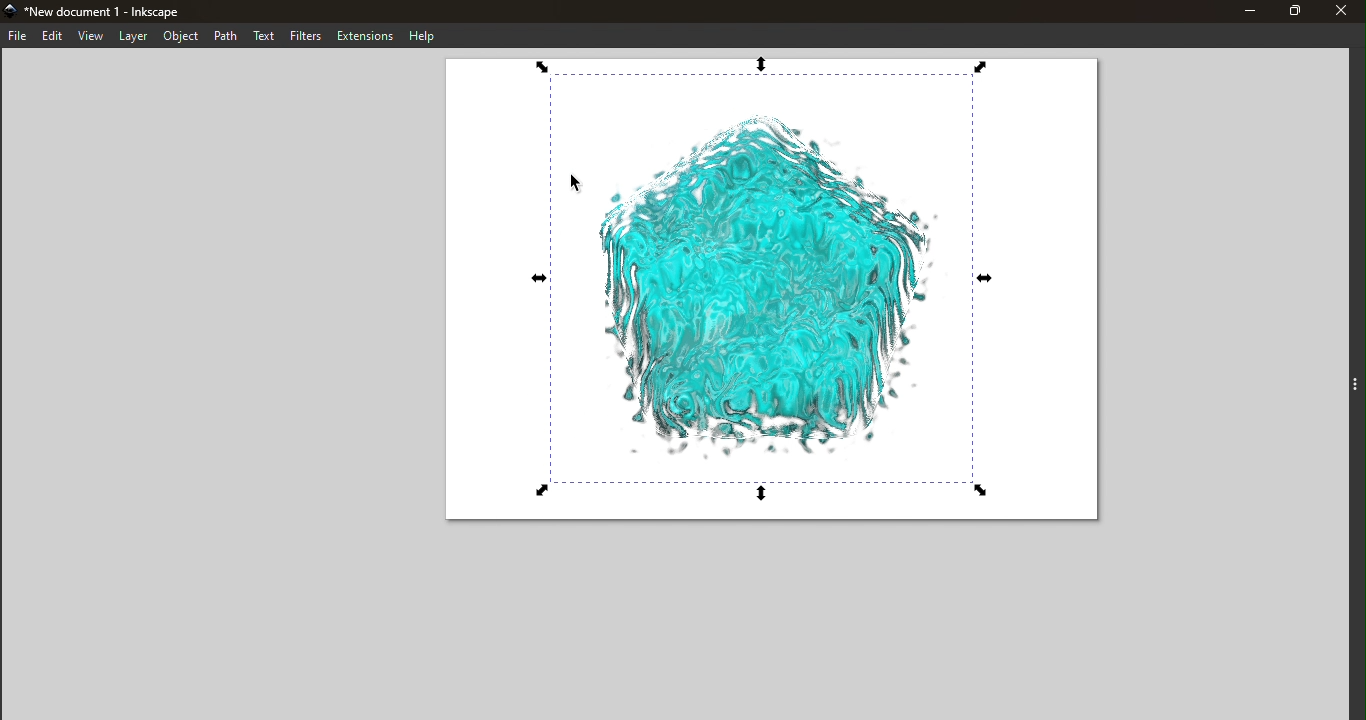  What do you see at coordinates (118, 11) in the screenshot?
I see `New document 1 - Inkscape` at bounding box center [118, 11].